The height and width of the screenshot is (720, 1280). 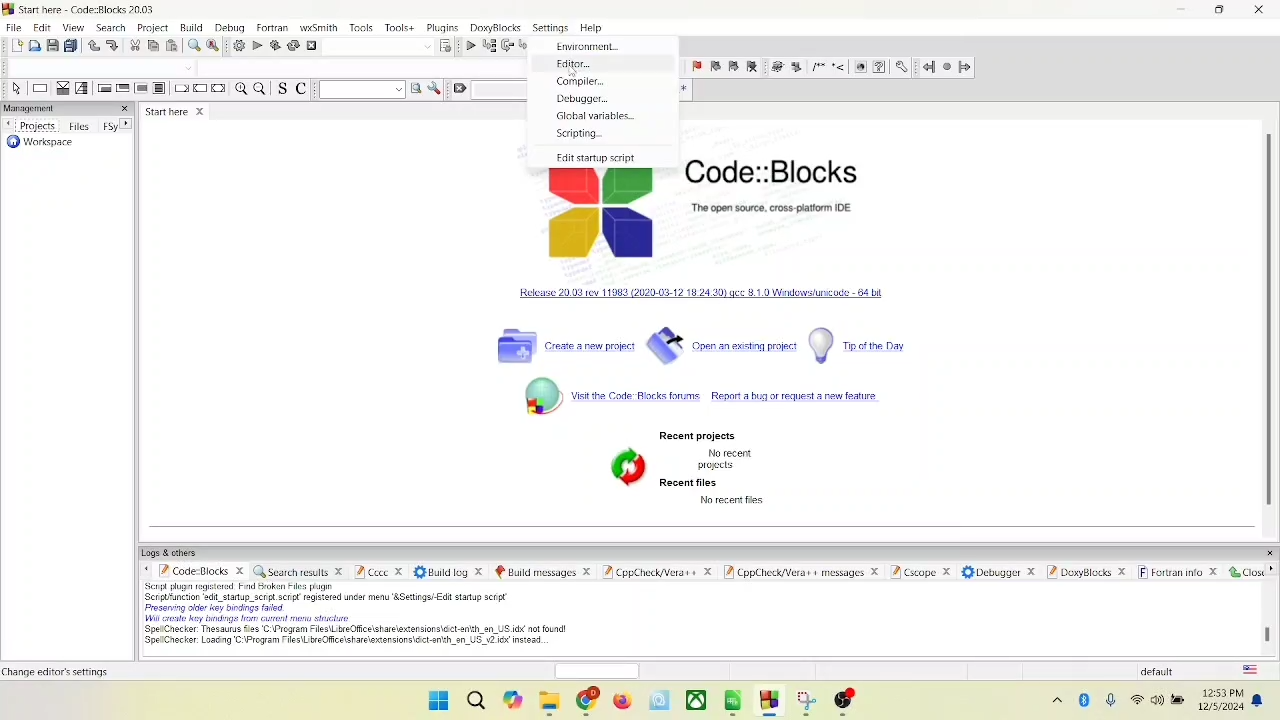 What do you see at coordinates (53, 44) in the screenshot?
I see `save` at bounding box center [53, 44].